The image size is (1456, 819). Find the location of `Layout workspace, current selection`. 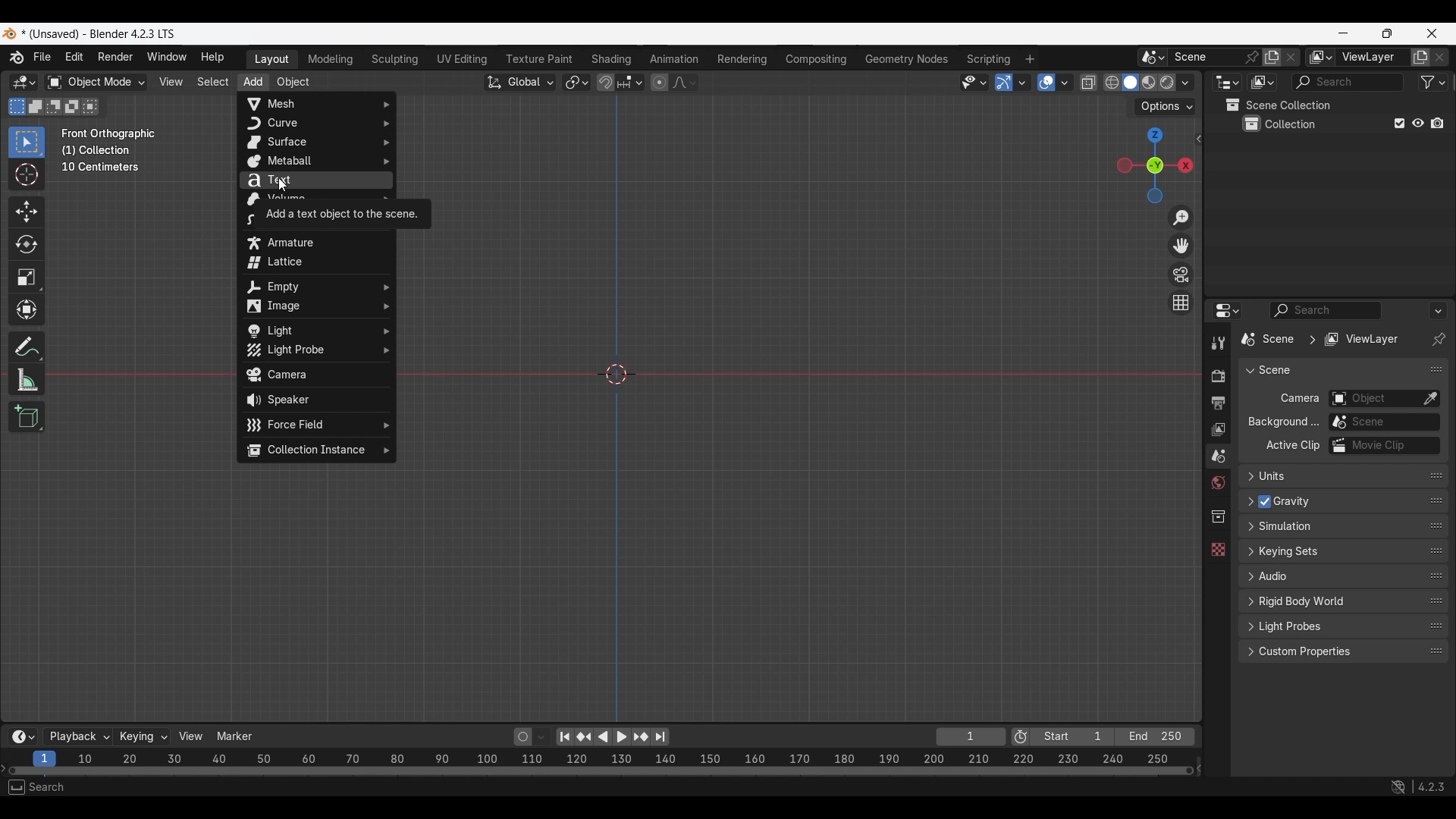

Layout workspace, current selection is located at coordinates (271, 60).